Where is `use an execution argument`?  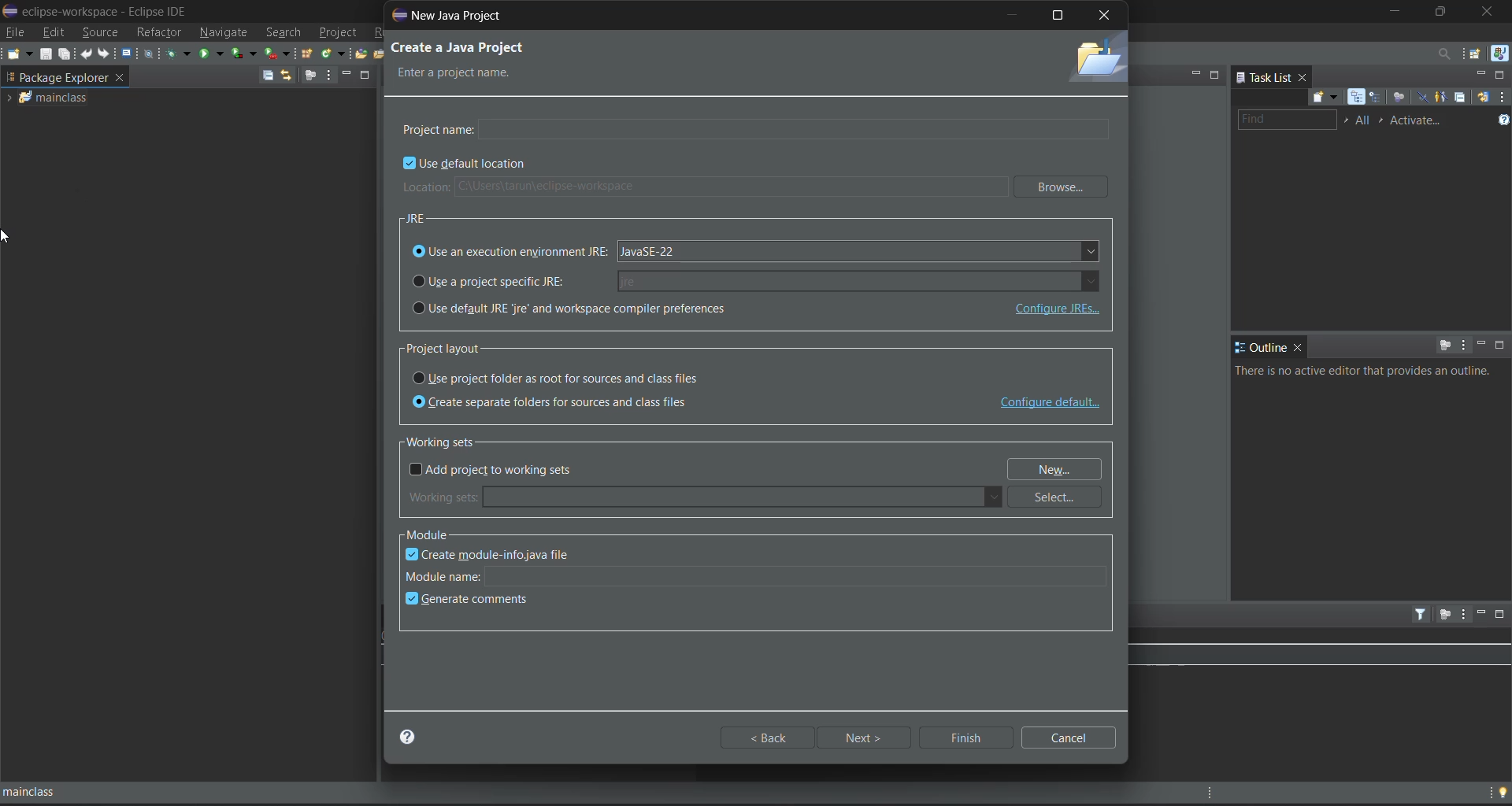 use an execution argument is located at coordinates (757, 252).